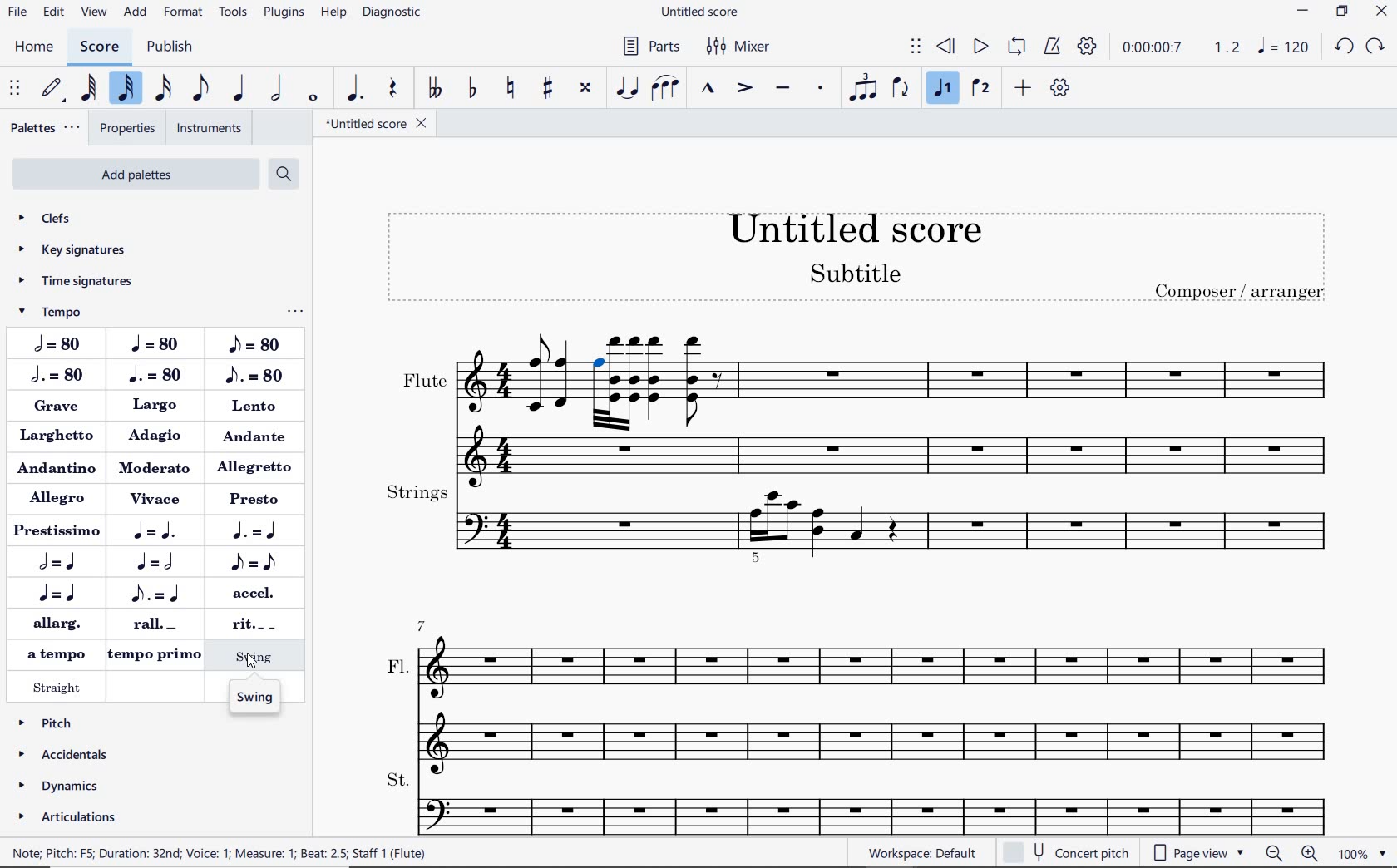 Image resolution: width=1397 pixels, height=868 pixels. What do you see at coordinates (902, 90) in the screenshot?
I see `FLIP DIRECTION` at bounding box center [902, 90].